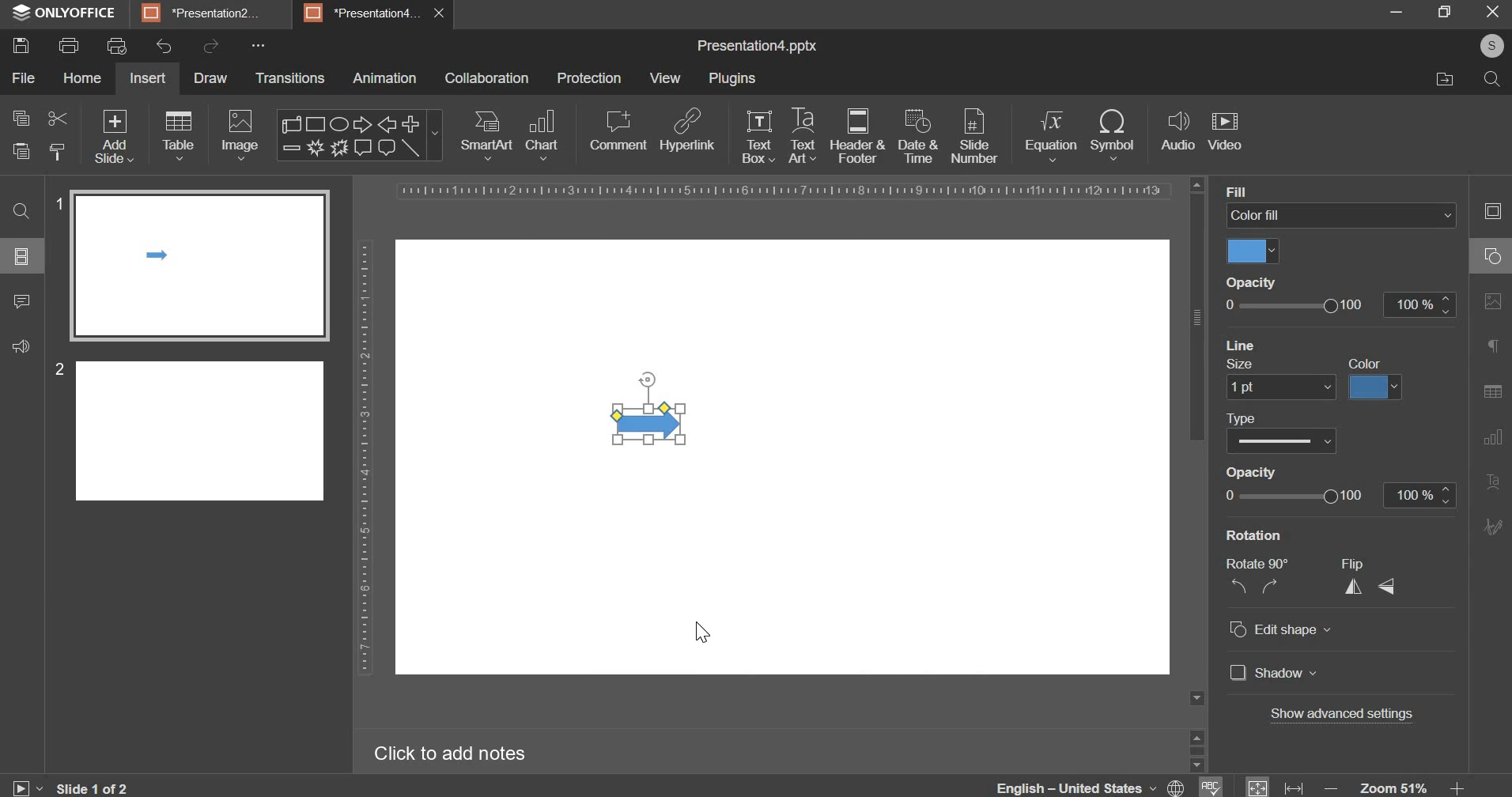  I want to click on smart art, so click(488, 136).